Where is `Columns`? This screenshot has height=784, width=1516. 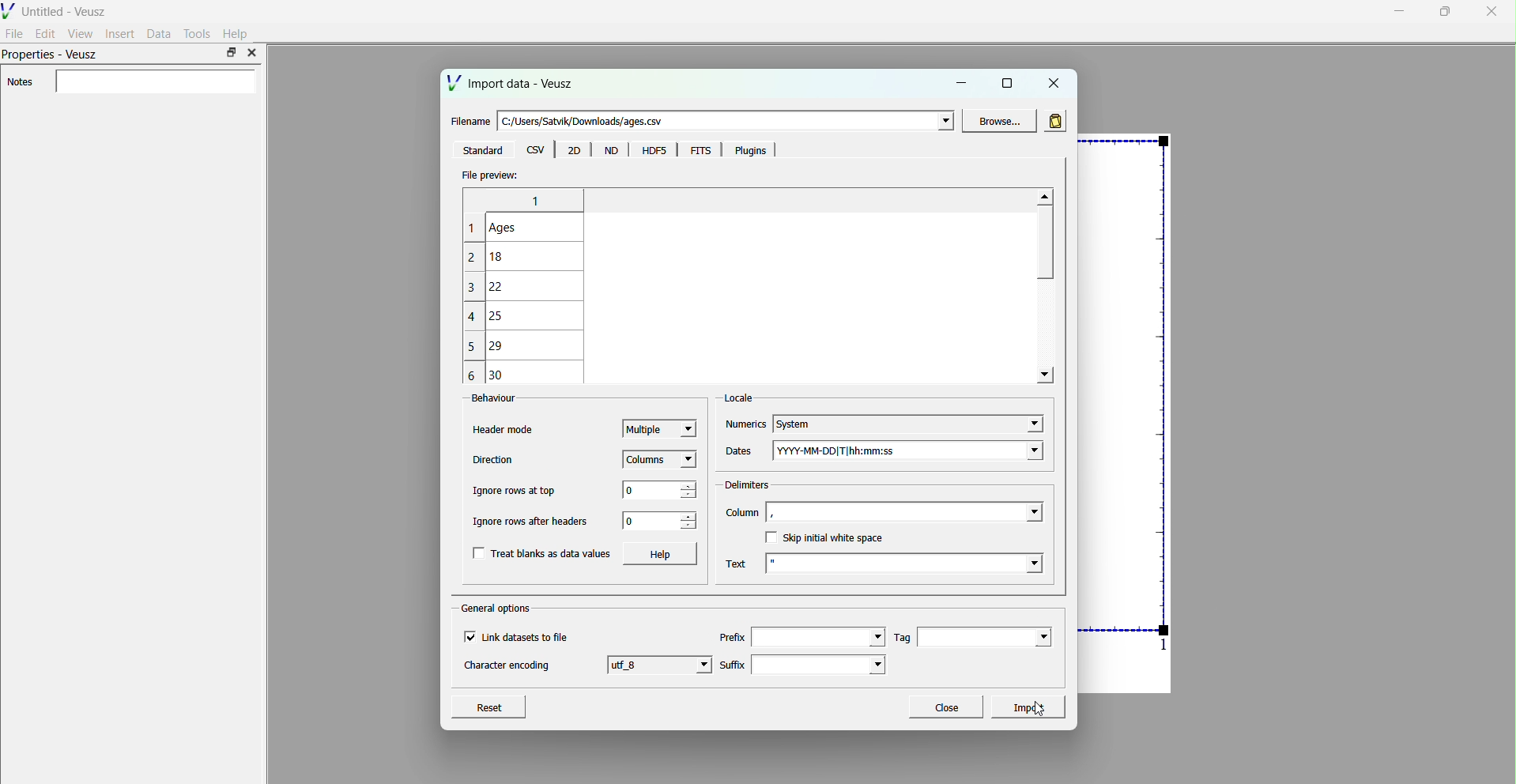 Columns is located at coordinates (662, 458).